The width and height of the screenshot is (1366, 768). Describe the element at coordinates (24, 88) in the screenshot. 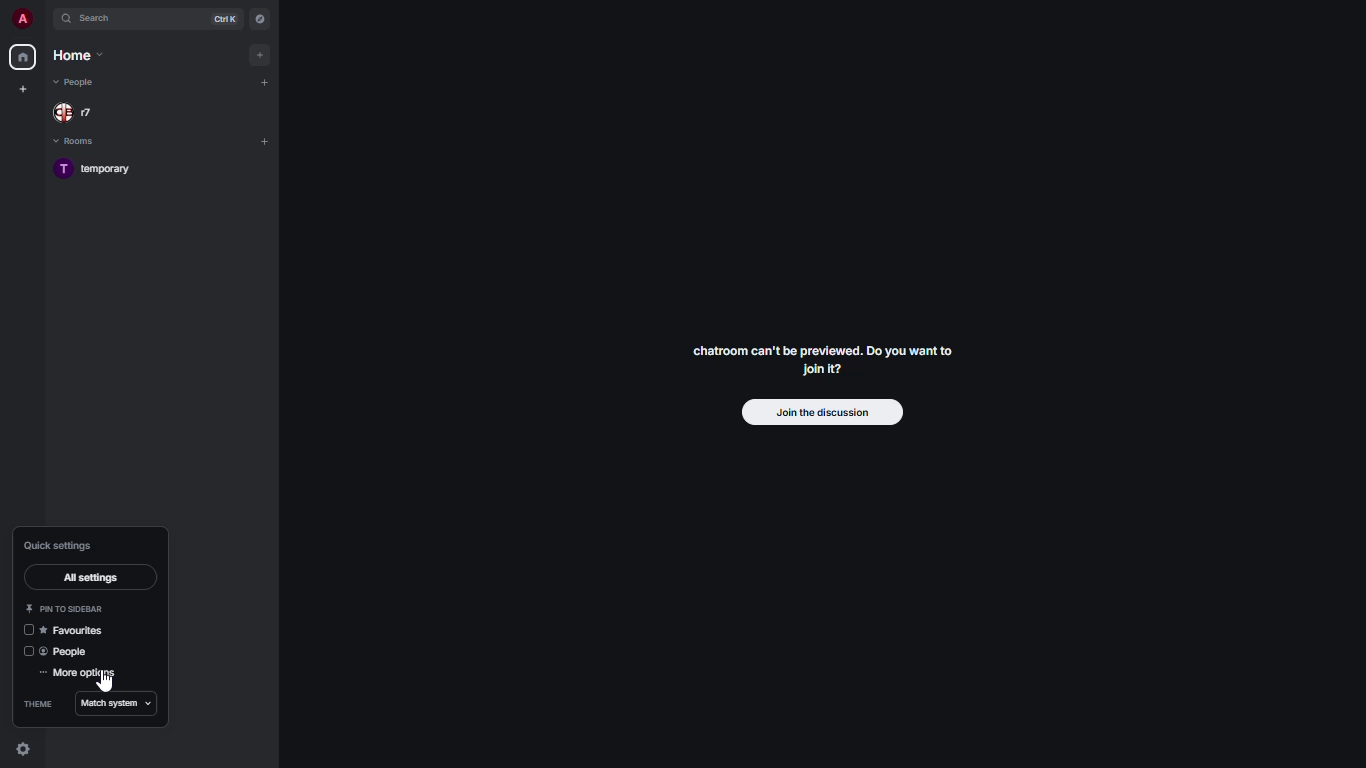

I see `create new space` at that location.